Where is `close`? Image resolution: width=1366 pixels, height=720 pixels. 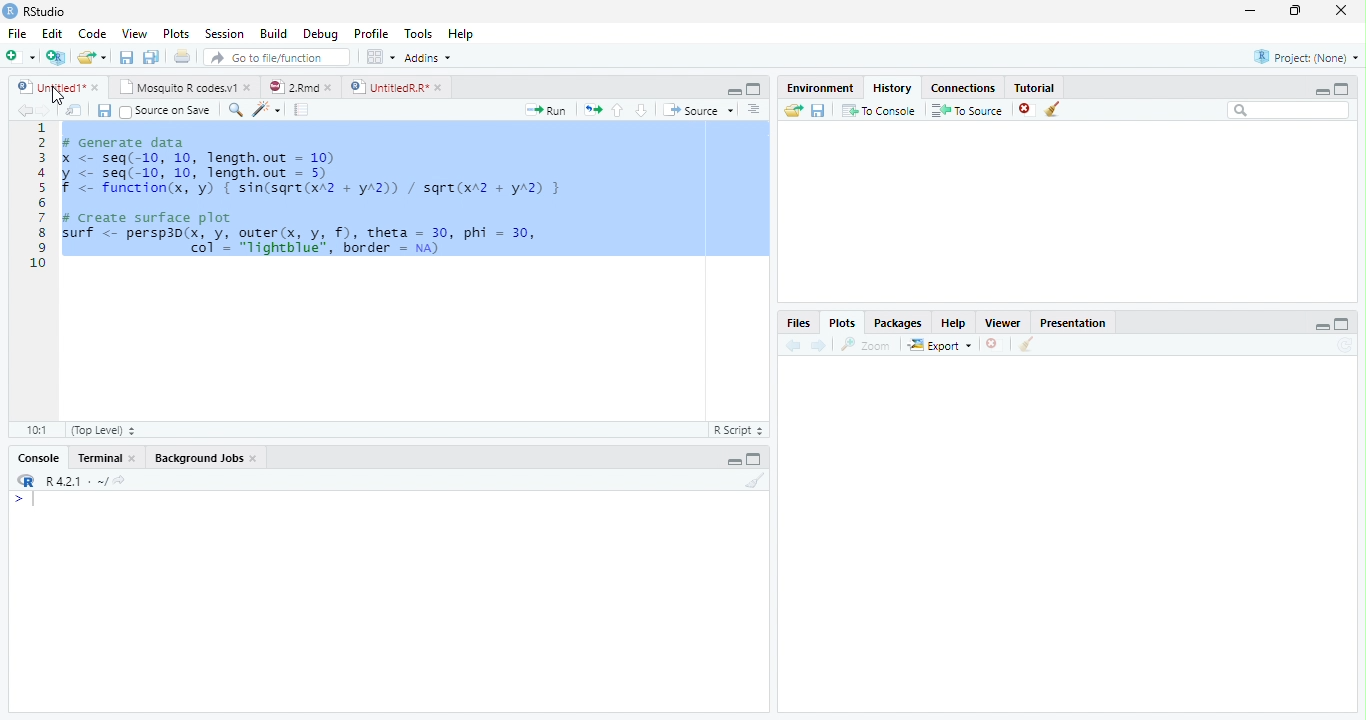
close is located at coordinates (1341, 10).